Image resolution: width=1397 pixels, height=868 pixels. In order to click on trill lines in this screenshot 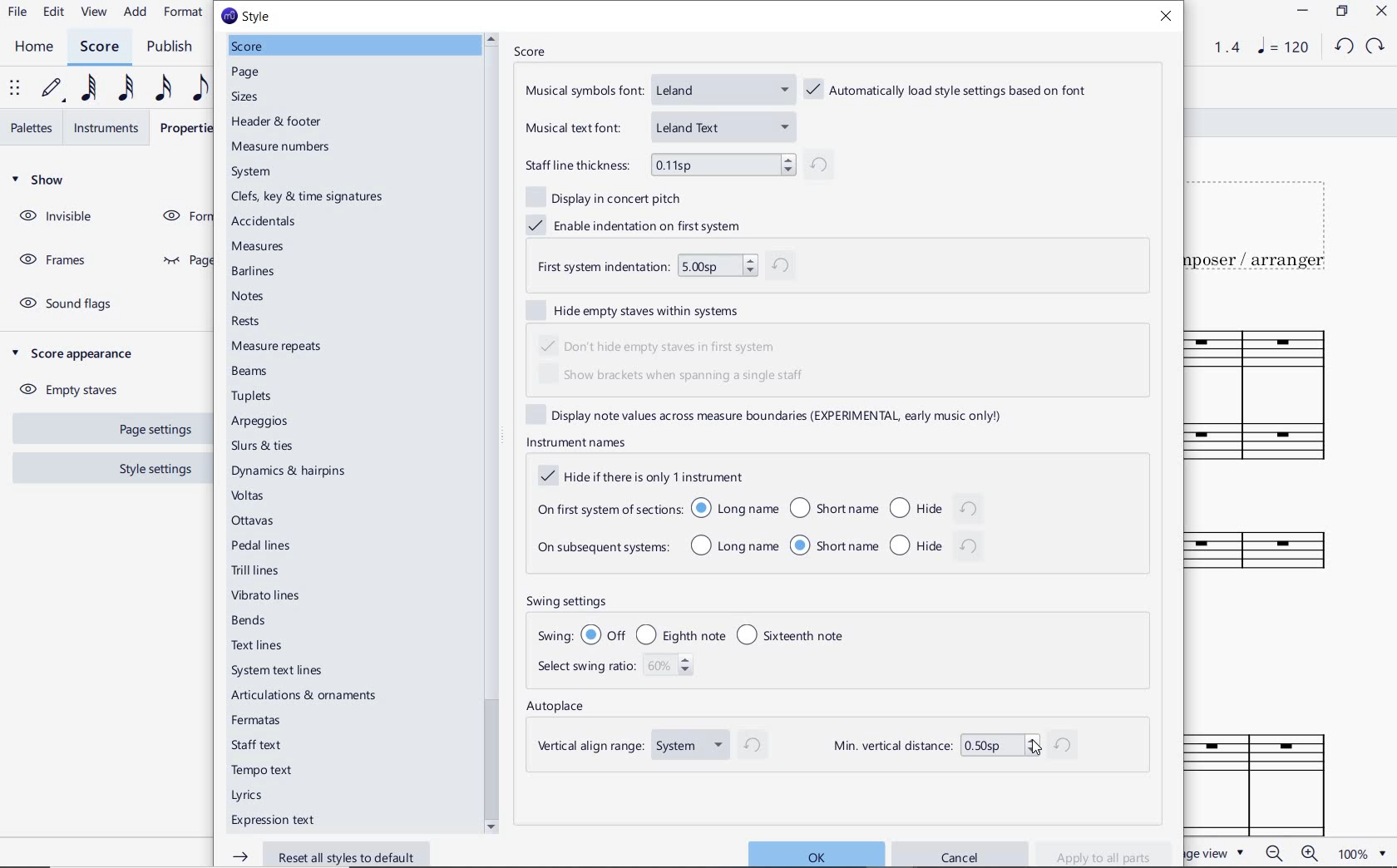, I will do `click(256, 570)`.